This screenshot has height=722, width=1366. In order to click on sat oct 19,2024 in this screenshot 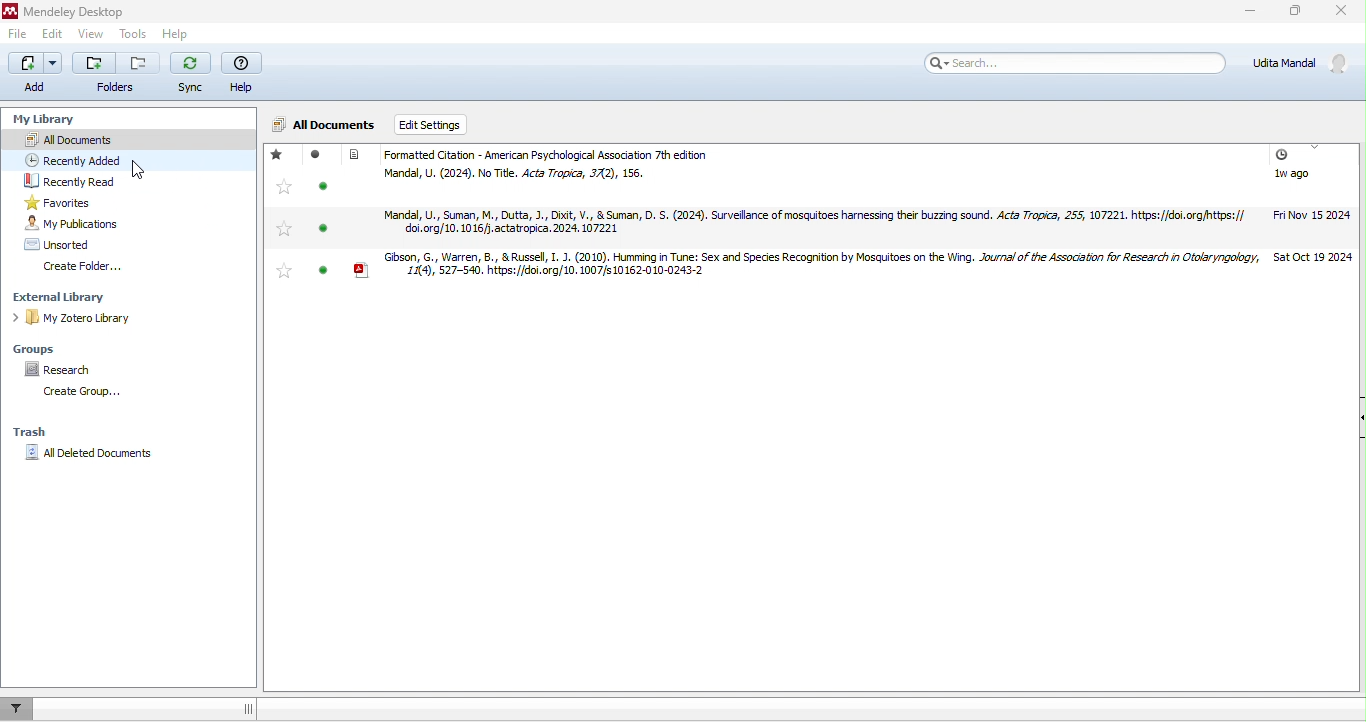, I will do `click(1314, 264)`.